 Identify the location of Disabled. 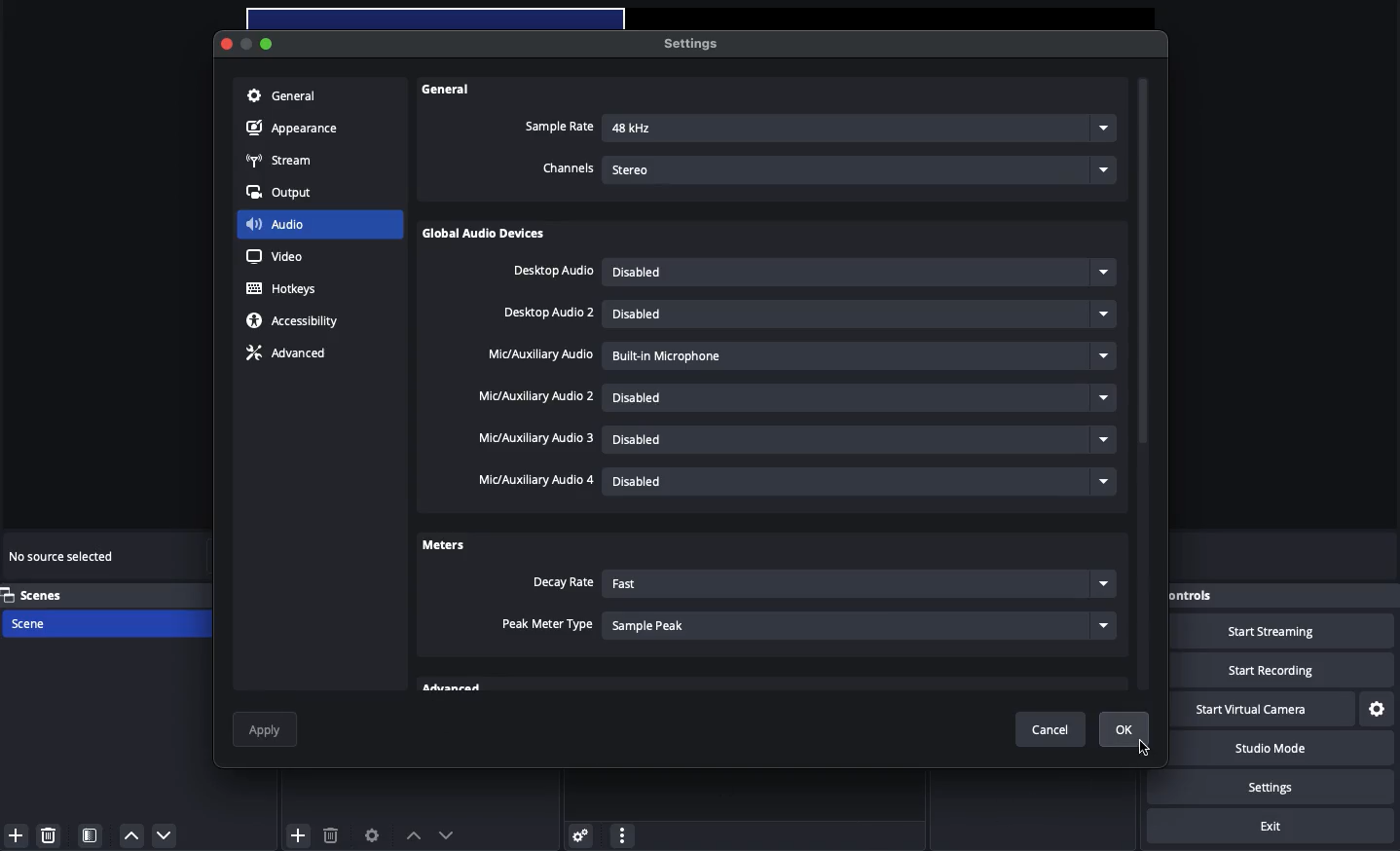
(858, 273).